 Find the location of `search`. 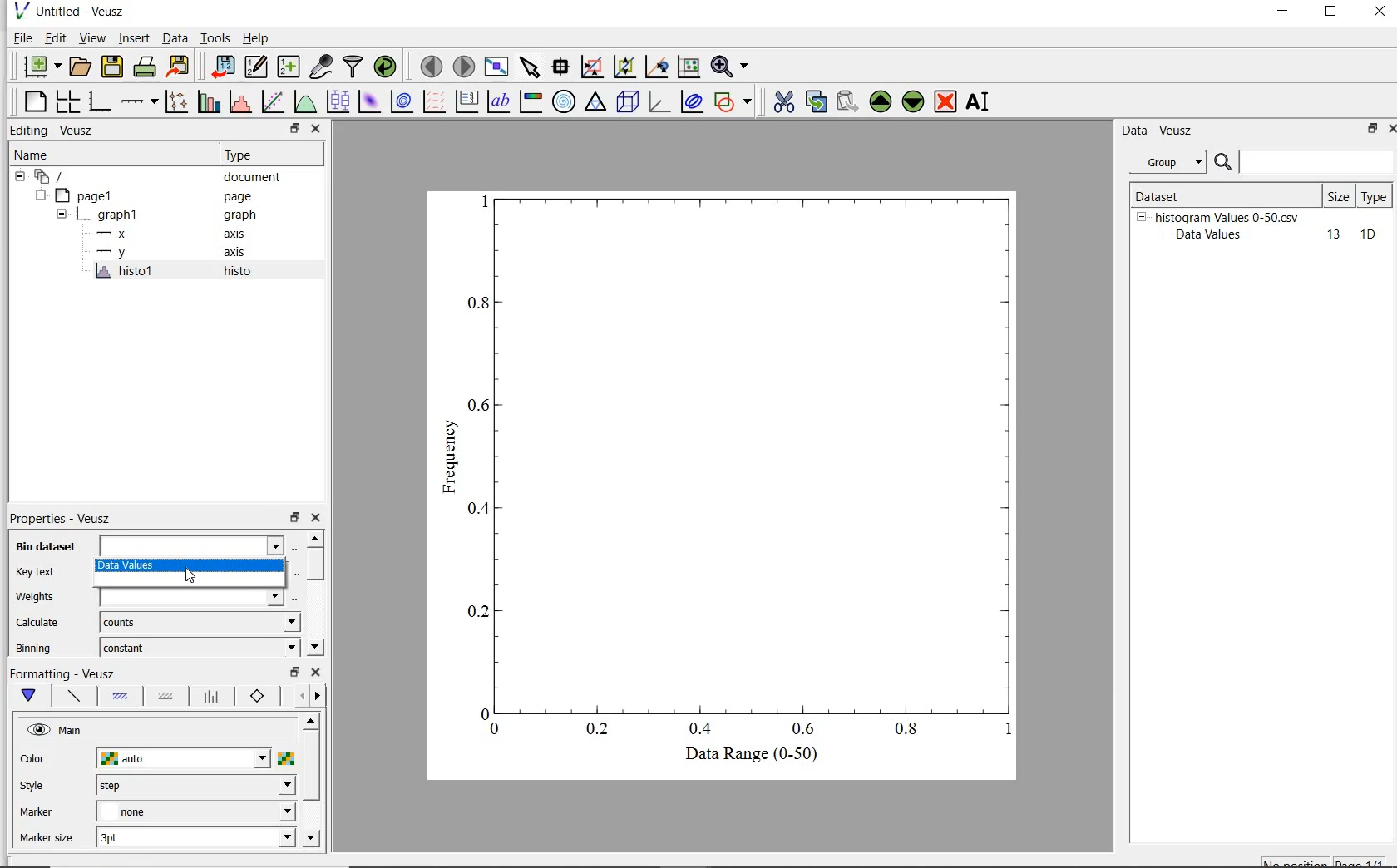

search is located at coordinates (1224, 163).